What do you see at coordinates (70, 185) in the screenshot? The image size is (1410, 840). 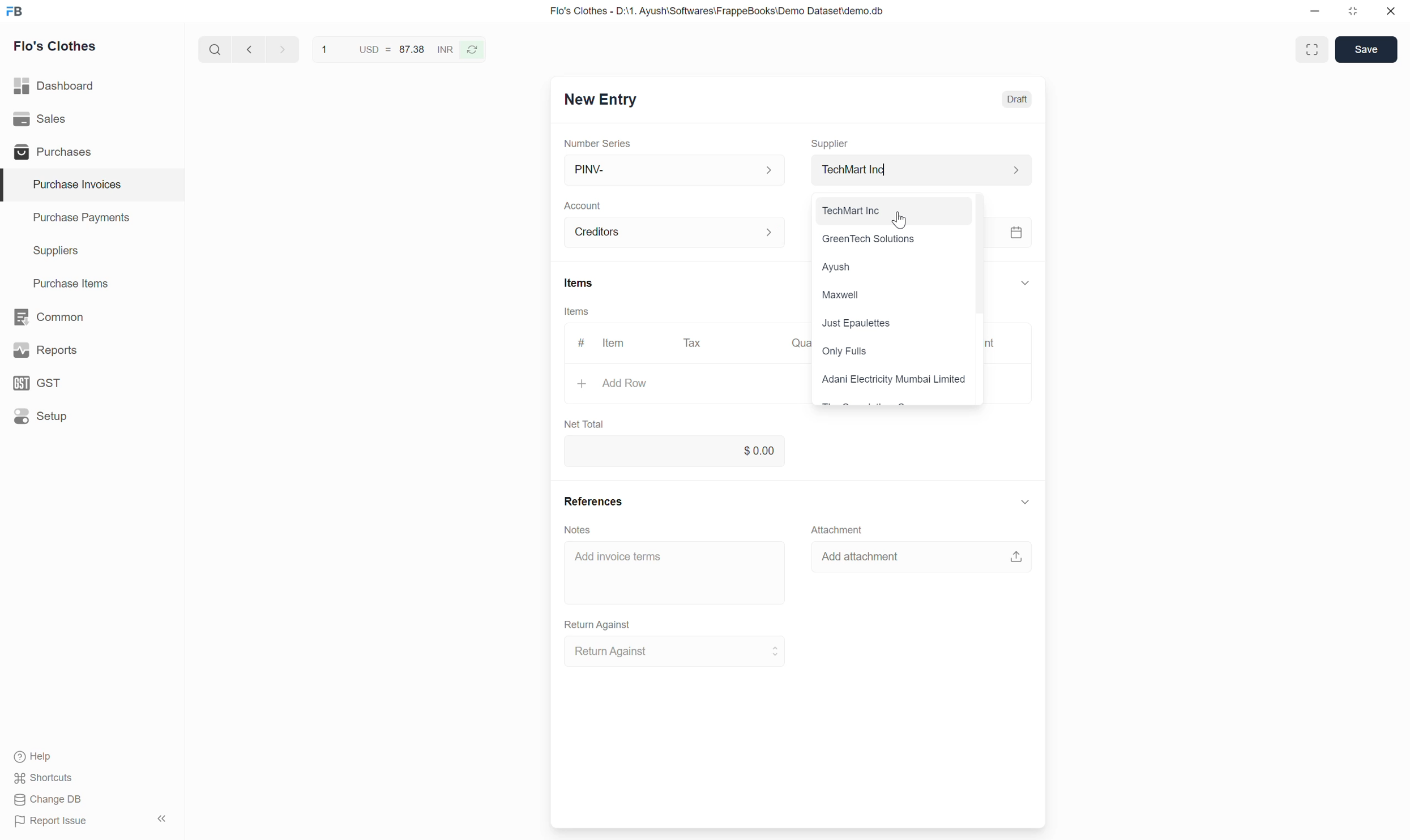 I see `Purchase Invoices` at bounding box center [70, 185].